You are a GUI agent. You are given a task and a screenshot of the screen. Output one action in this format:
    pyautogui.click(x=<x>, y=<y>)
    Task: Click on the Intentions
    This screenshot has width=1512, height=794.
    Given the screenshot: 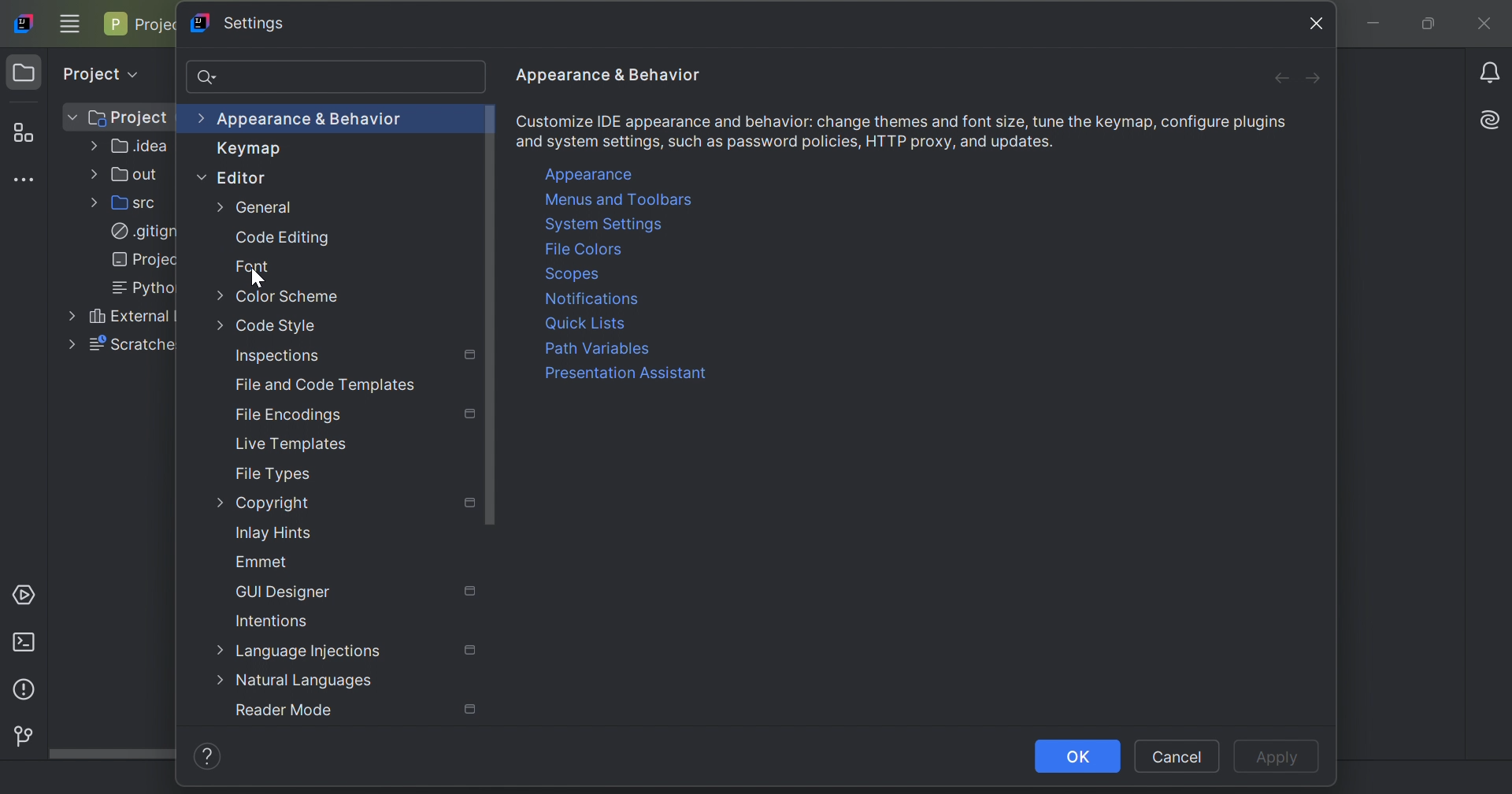 What is the action you would take?
    pyautogui.click(x=272, y=620)
    